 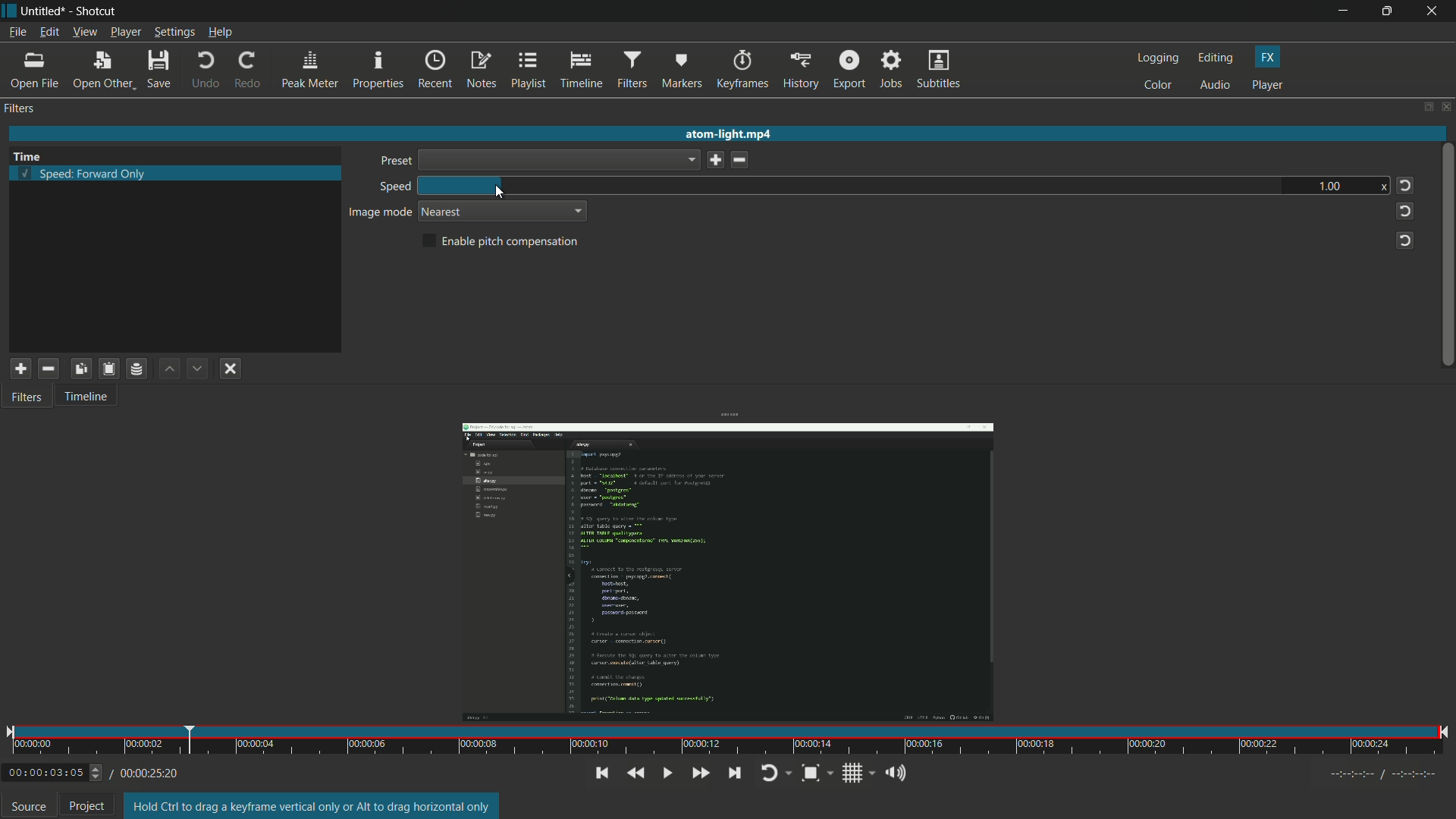 I want to click on Timecodes, so click(x=1367, y=773).